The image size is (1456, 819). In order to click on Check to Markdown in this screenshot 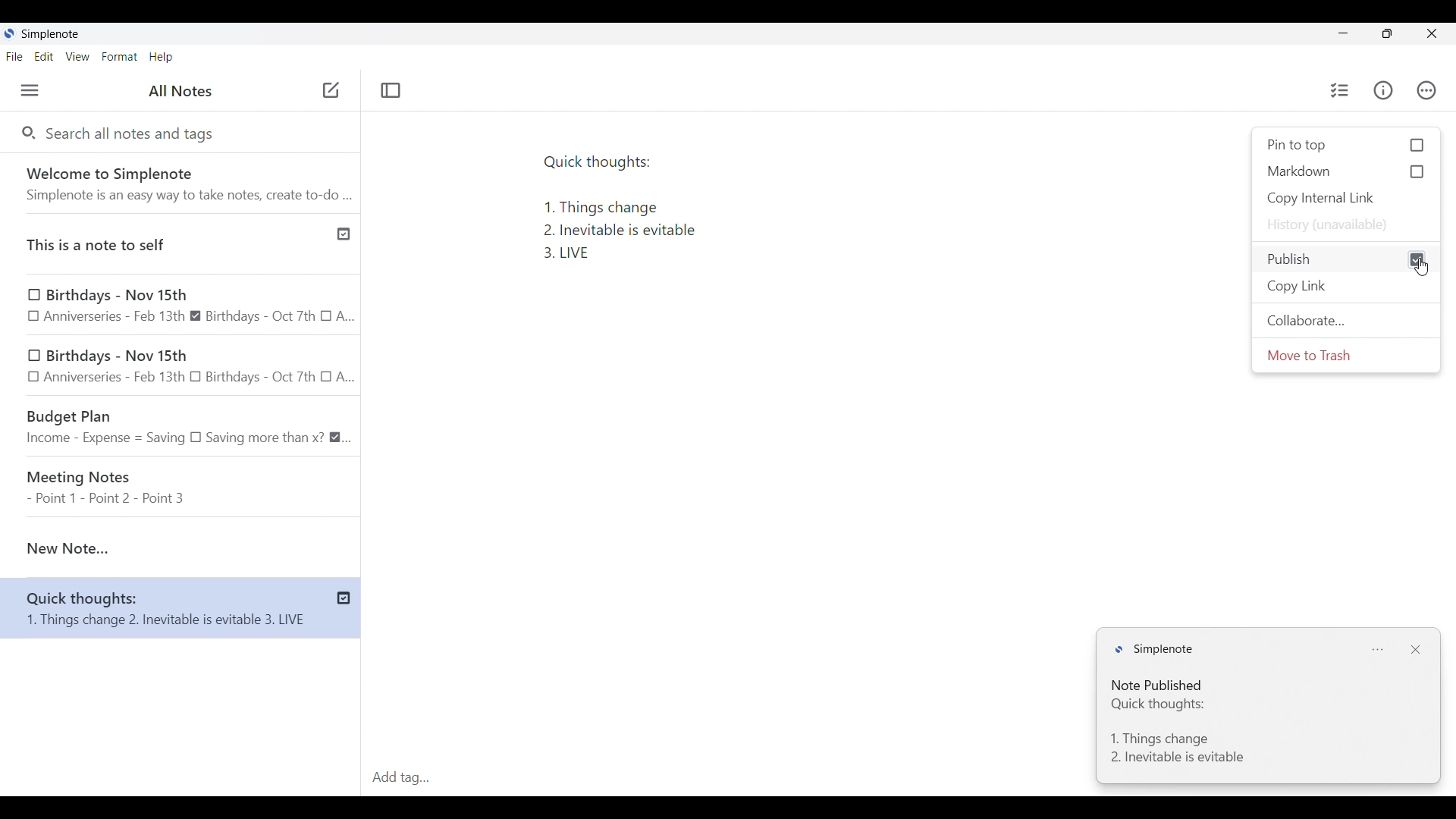, I will do `click(1346, 171)`.